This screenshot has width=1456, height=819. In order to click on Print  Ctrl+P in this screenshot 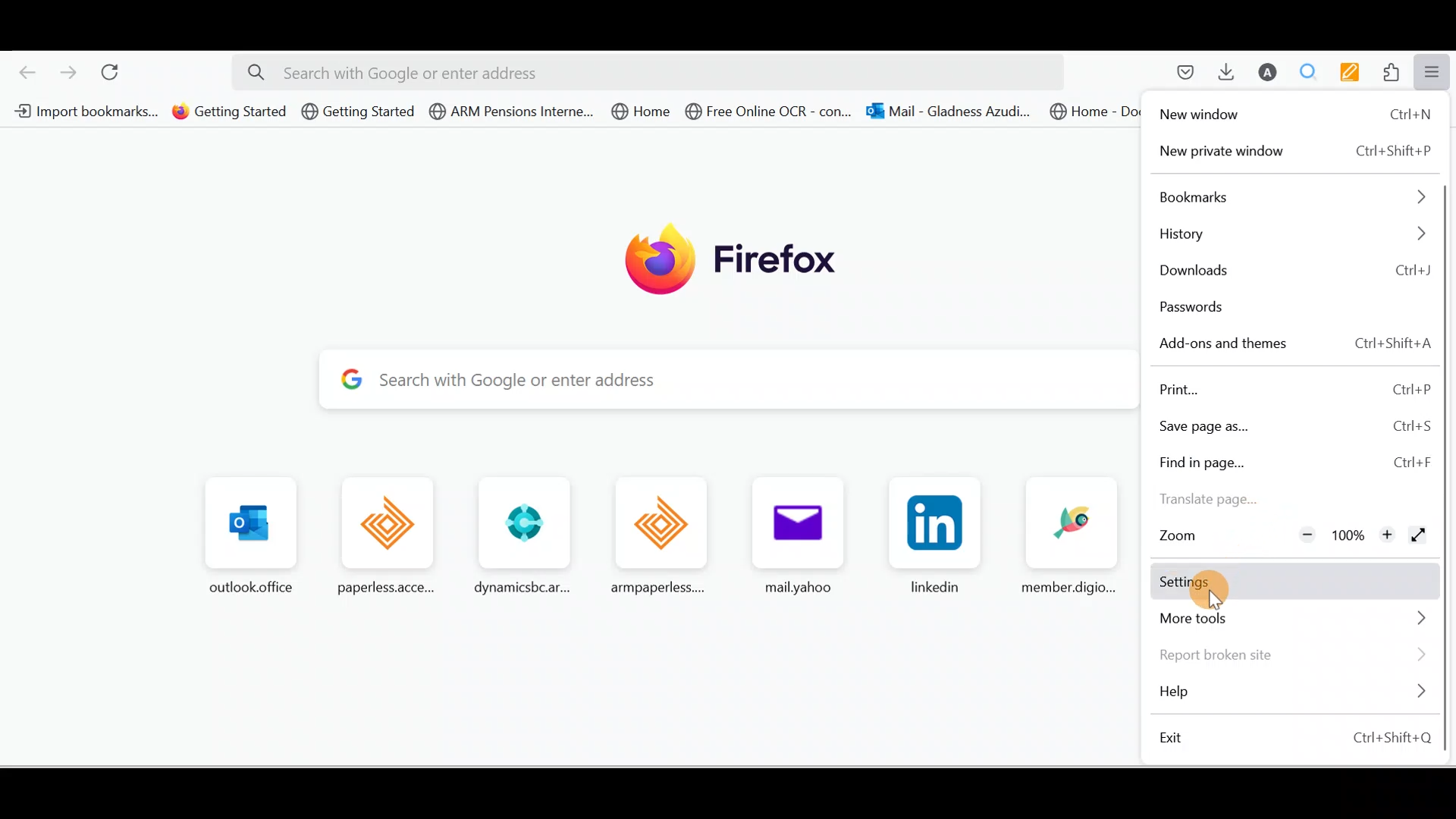, I will do `click(1291, 388)`.